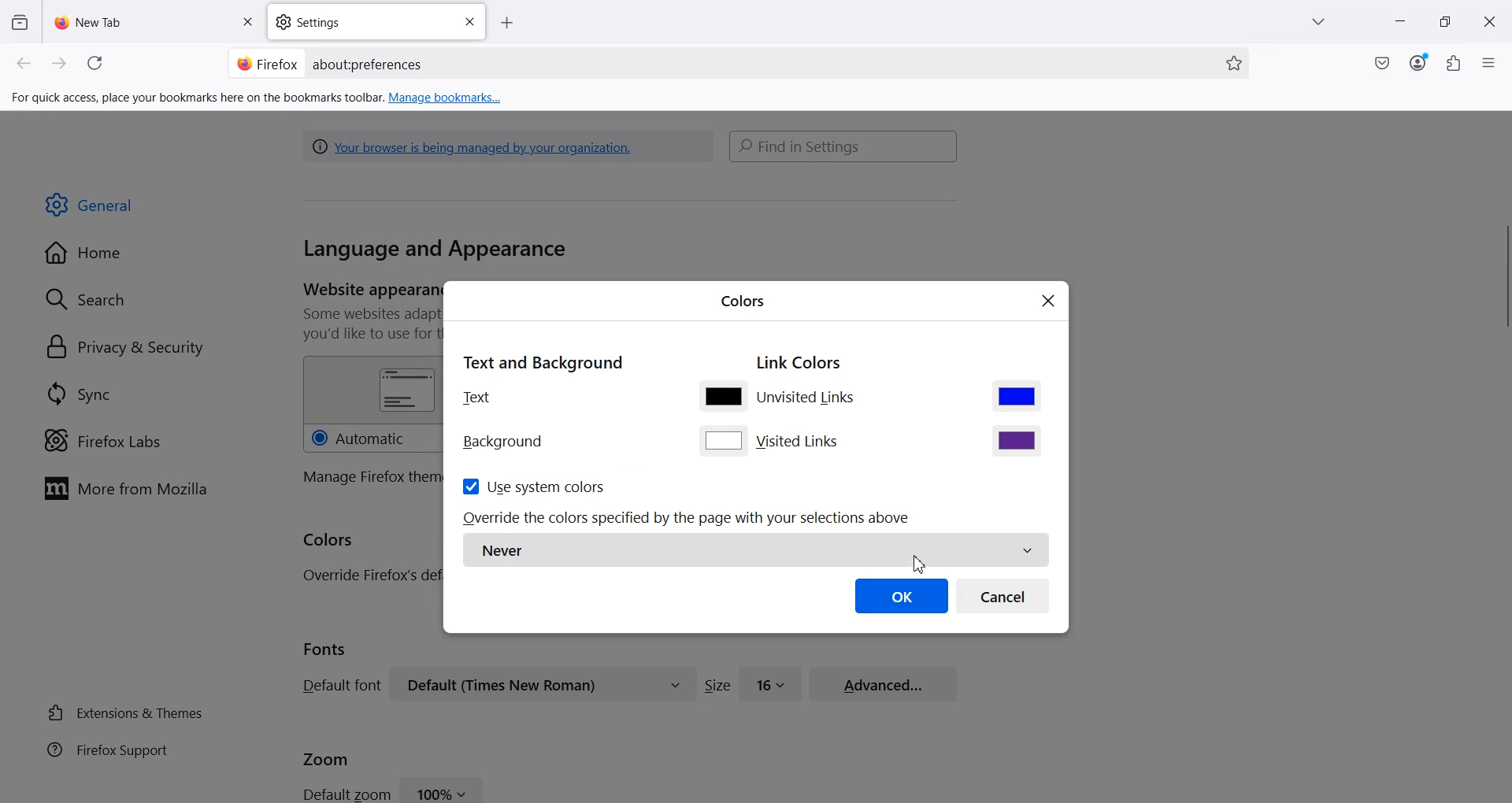 This screenshot has width=1512, height=803. Describe the element at coordinates (378, 22) in the screenshot. I see `Setting Tab` at that location.